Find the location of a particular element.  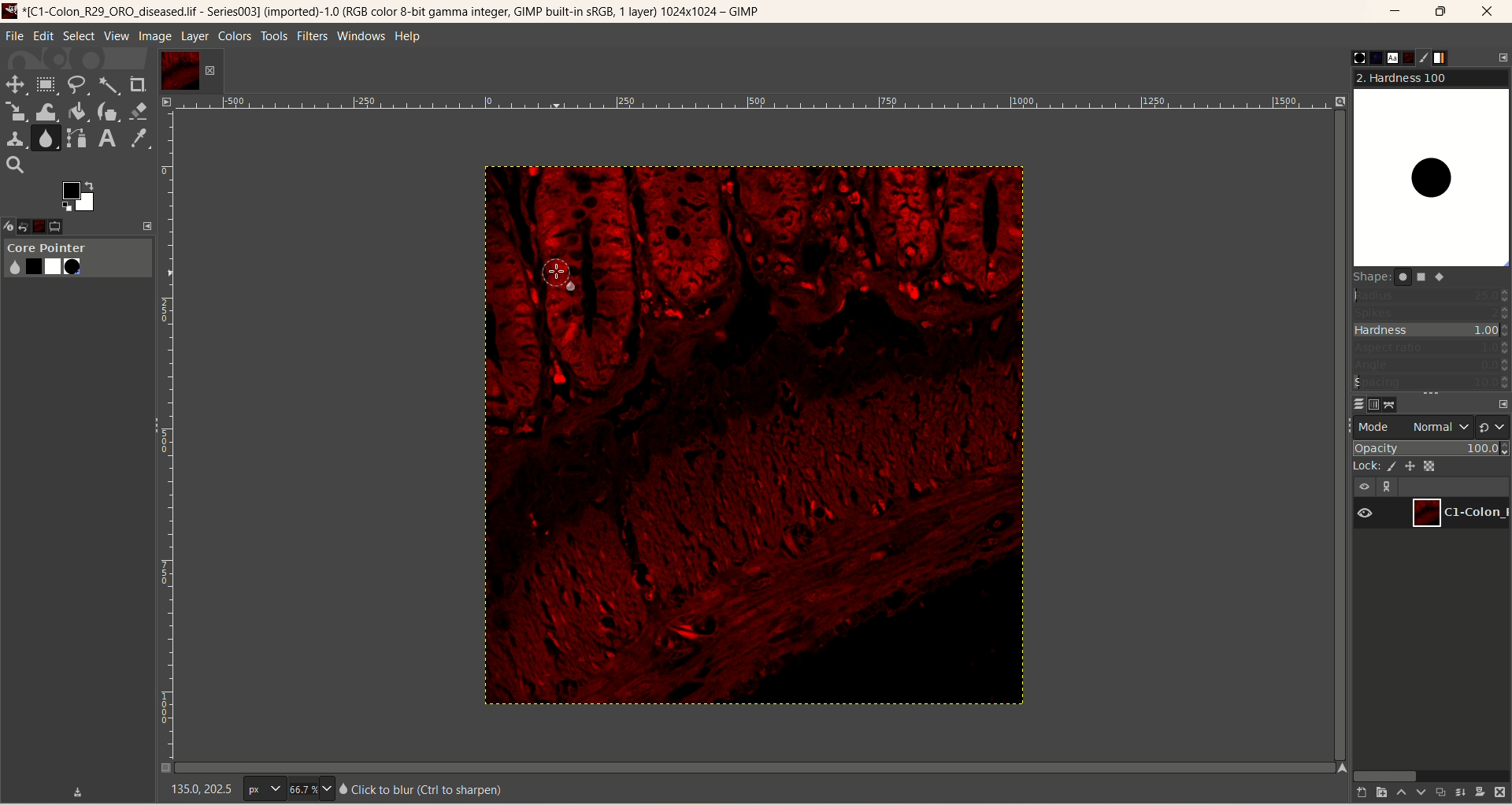

help is located at coordinates (409, 38).